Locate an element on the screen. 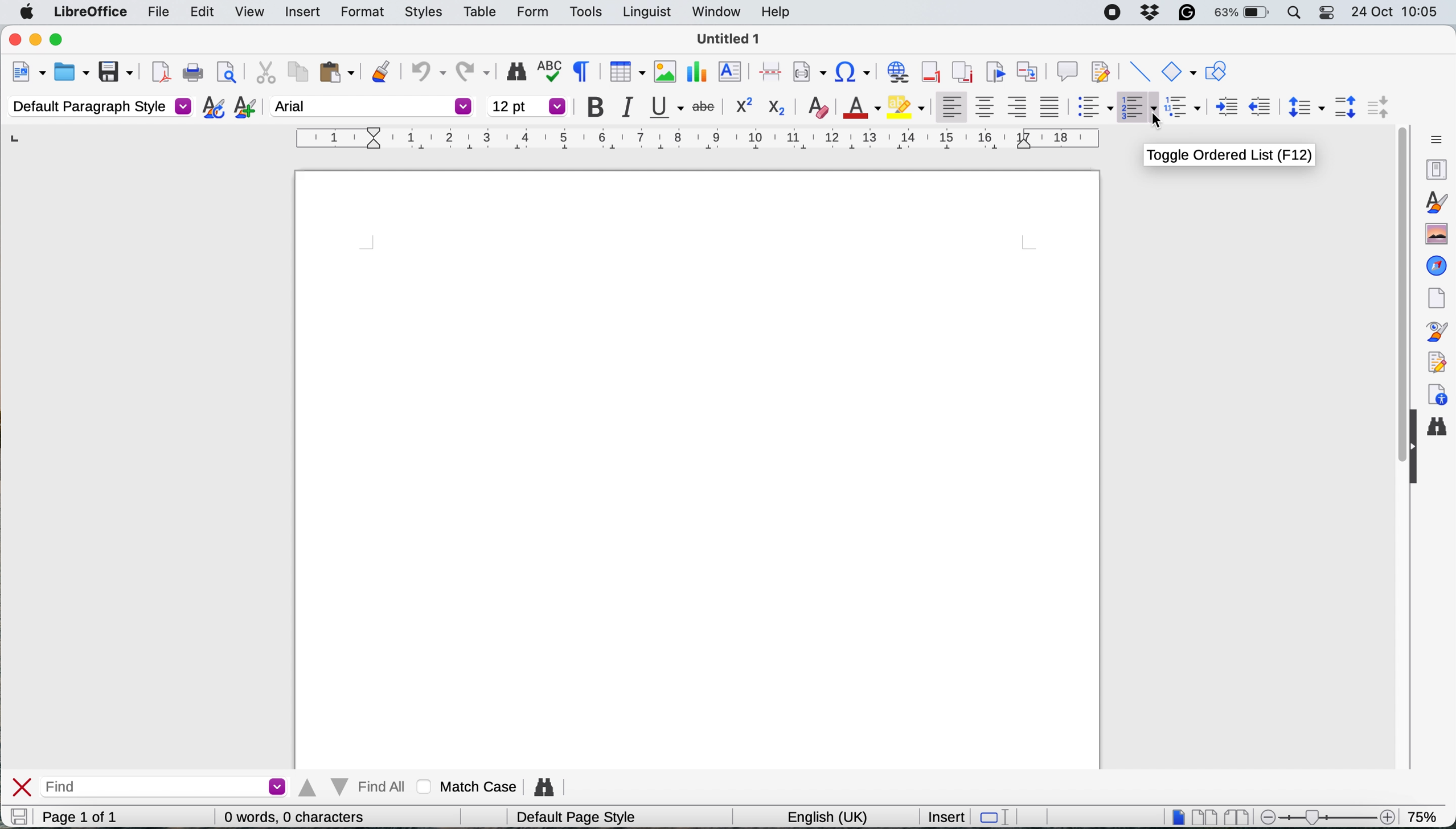 The image size is (1456, 829). find and replace is located at coordinates (515, 72).